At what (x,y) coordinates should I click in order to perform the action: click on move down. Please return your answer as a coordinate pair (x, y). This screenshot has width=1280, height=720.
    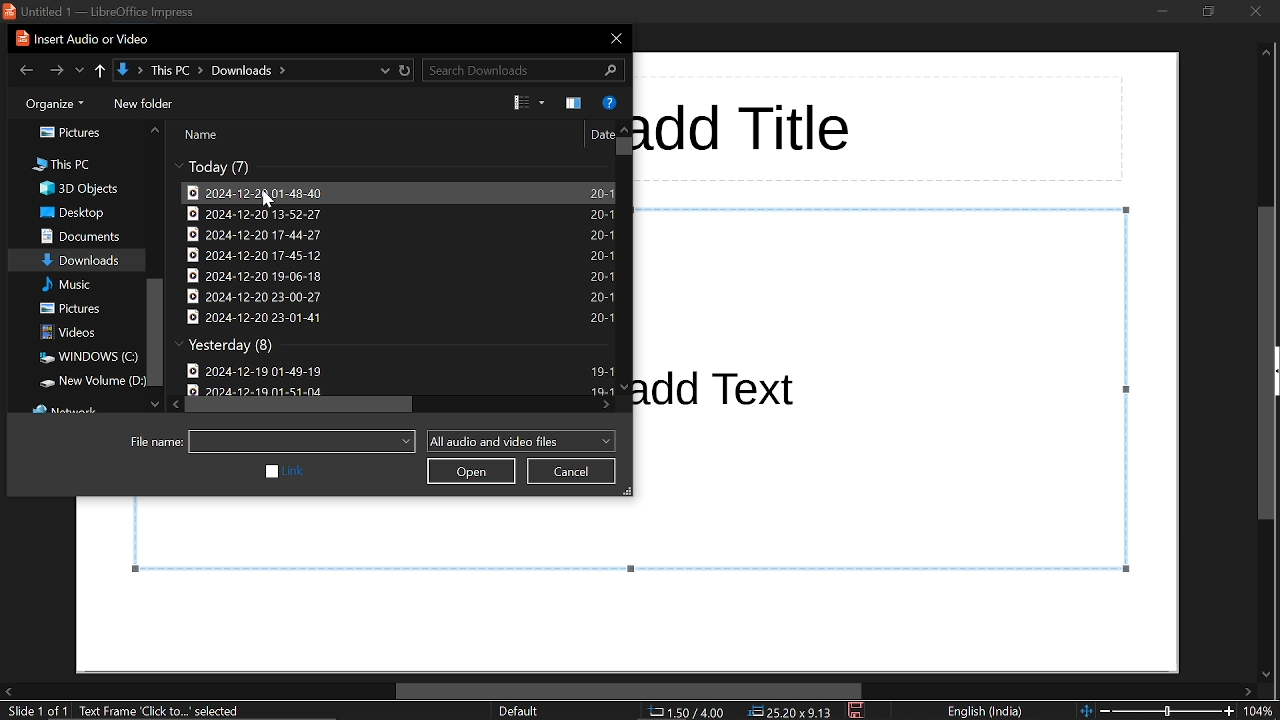
    Looking at the image, I should click on (624, 387).